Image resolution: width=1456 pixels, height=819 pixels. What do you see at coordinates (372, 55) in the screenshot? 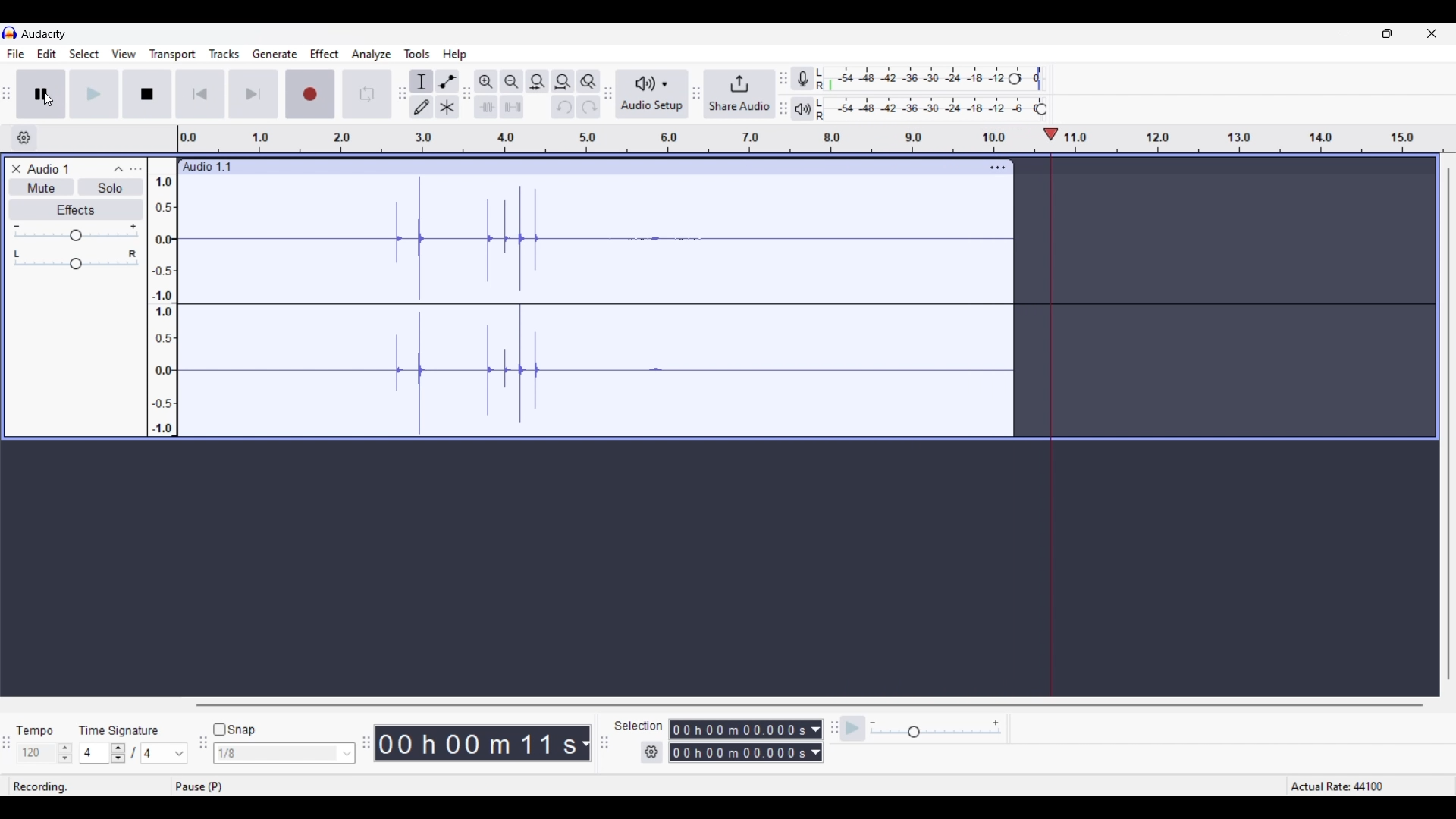
I see `Analyze menu` at bounding box center [372, 55].